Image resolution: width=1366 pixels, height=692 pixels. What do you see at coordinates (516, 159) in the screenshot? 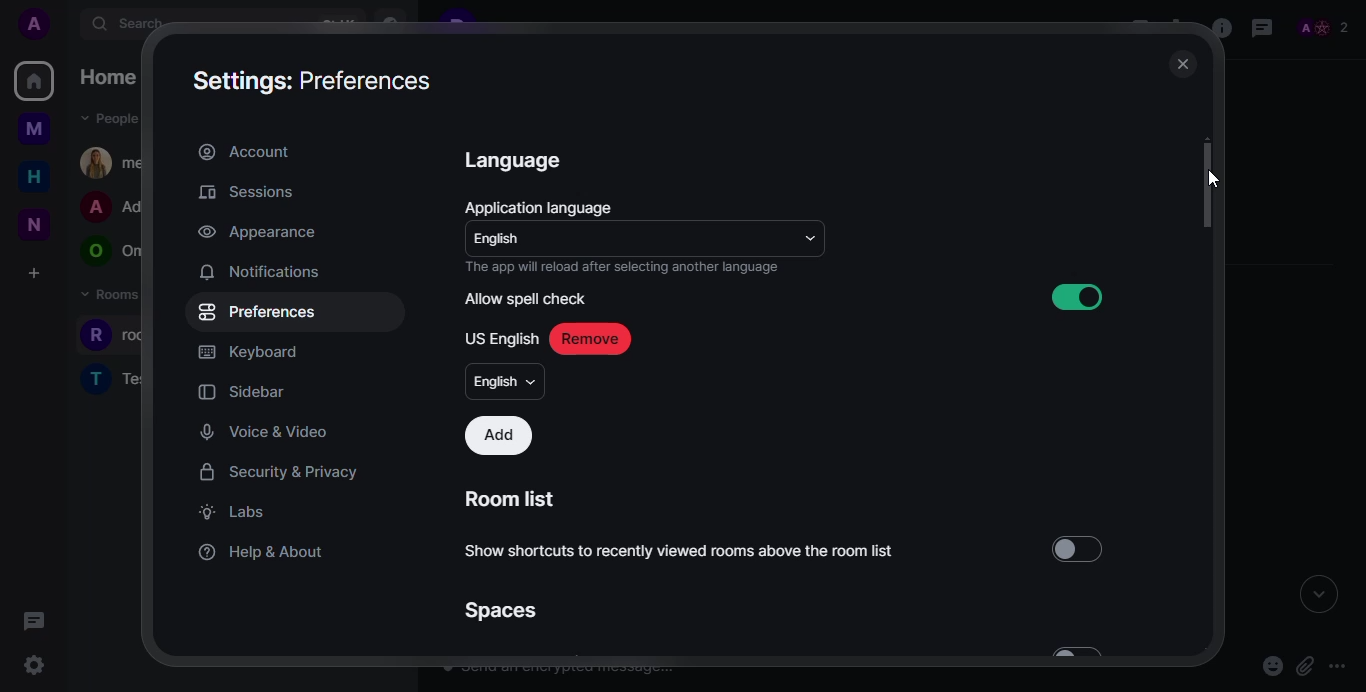
I see `language` at bounding box center [516, 159].